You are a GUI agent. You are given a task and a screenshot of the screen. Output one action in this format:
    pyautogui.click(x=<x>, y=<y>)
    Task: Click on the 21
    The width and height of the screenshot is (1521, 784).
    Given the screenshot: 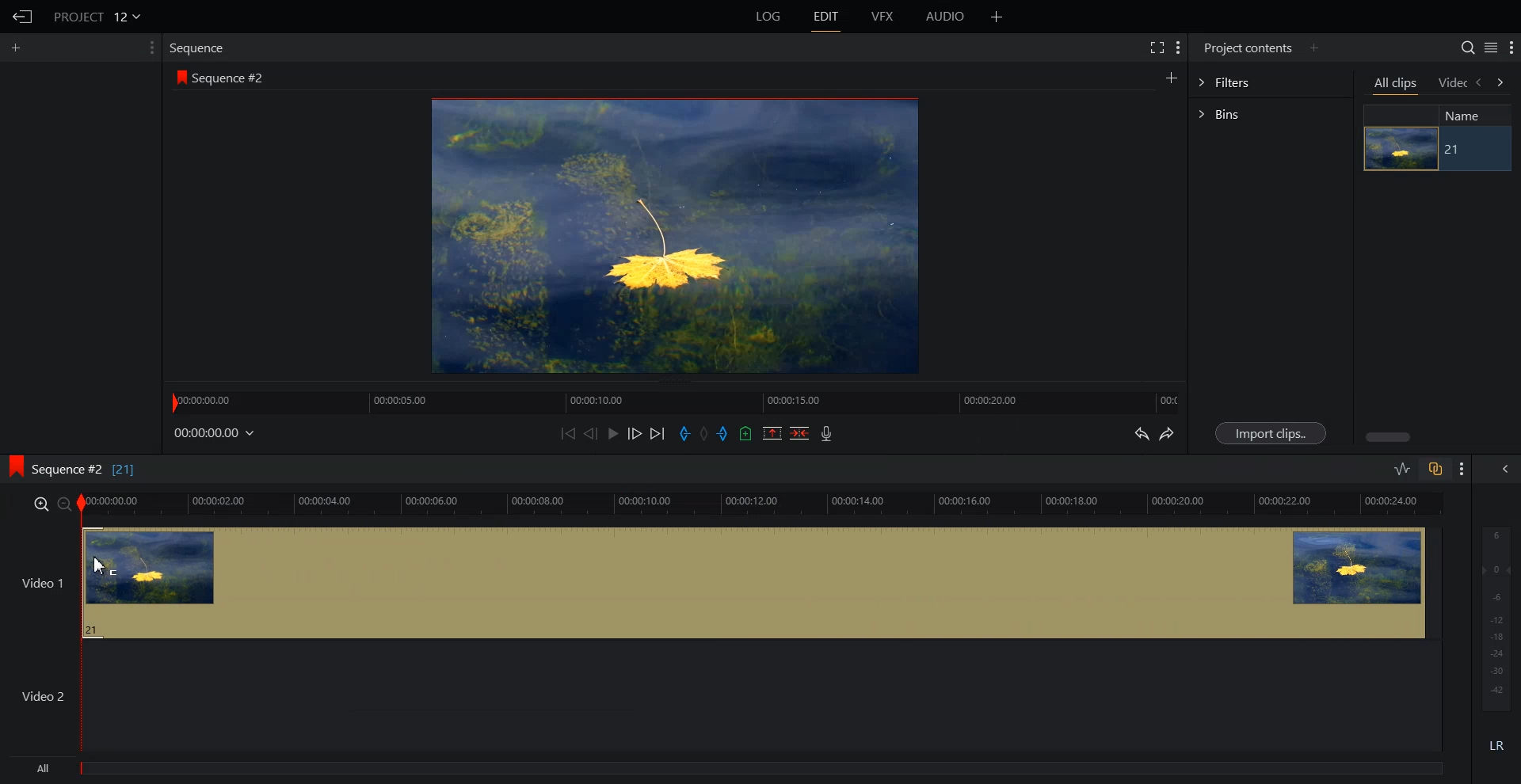 What is the action you would take?
    pyautogui.click(x=1473, y=150)
    